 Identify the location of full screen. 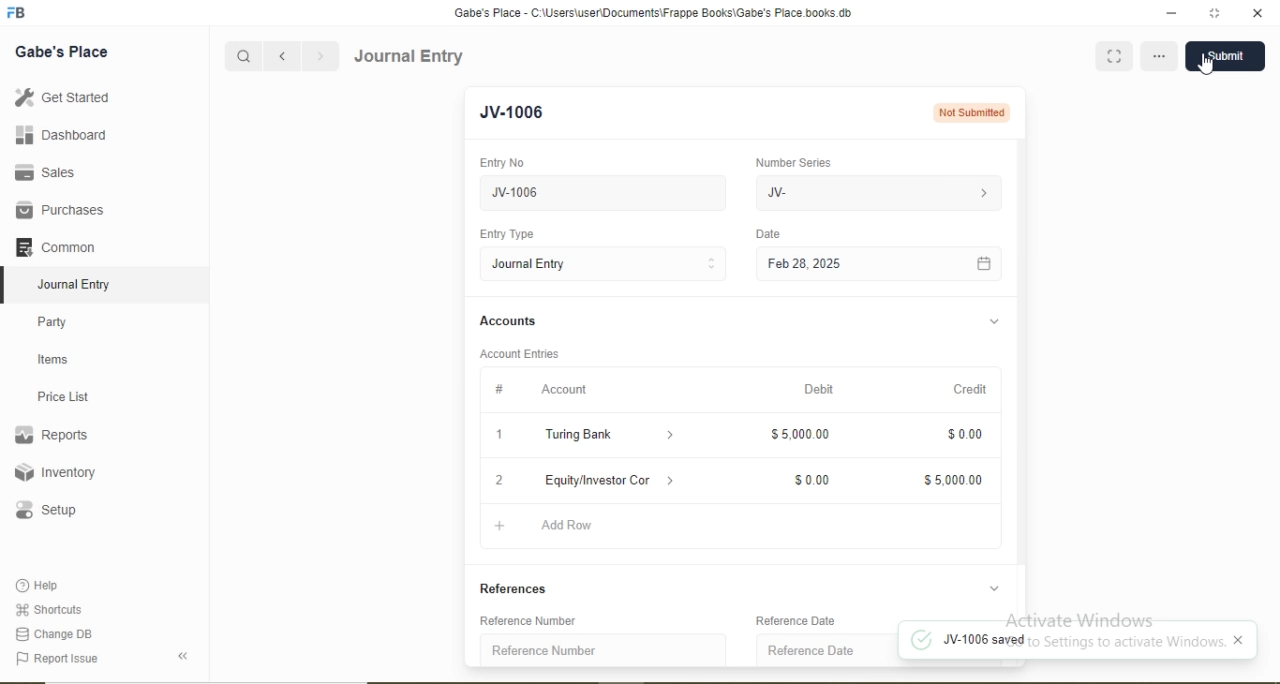
(1215, 13).